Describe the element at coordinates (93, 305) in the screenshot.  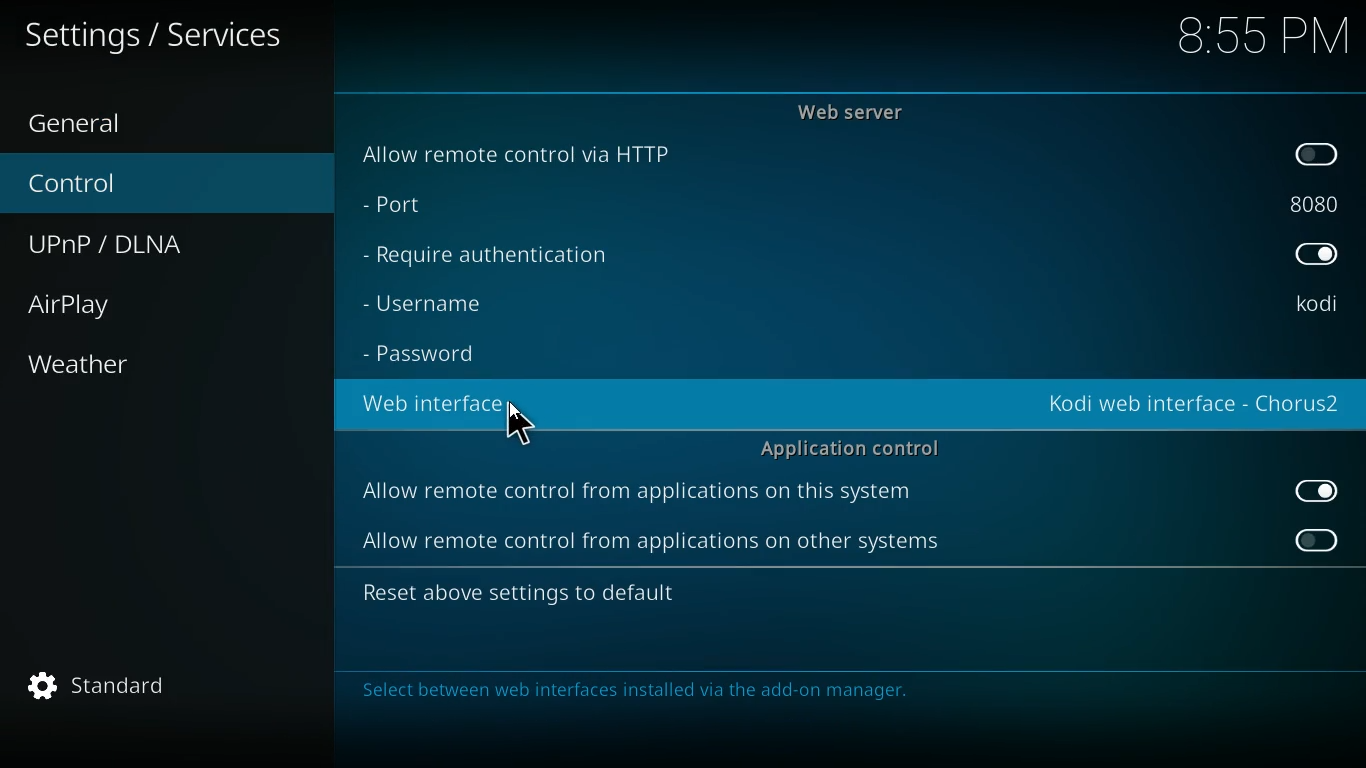
I see `AirPlay` at that location.